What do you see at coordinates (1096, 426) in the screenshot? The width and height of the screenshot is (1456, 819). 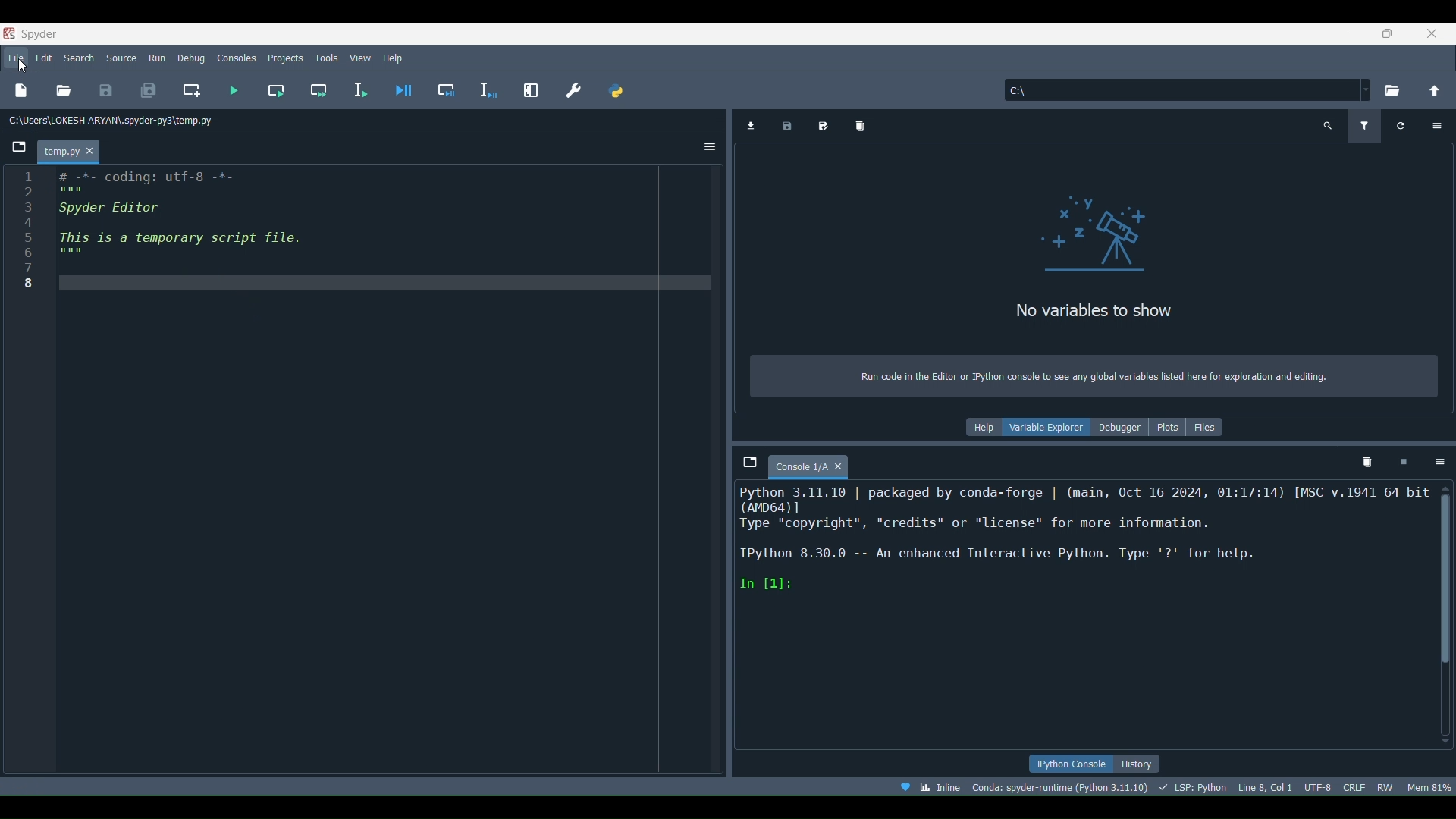 I see `` at bounding box center [1096, 426].